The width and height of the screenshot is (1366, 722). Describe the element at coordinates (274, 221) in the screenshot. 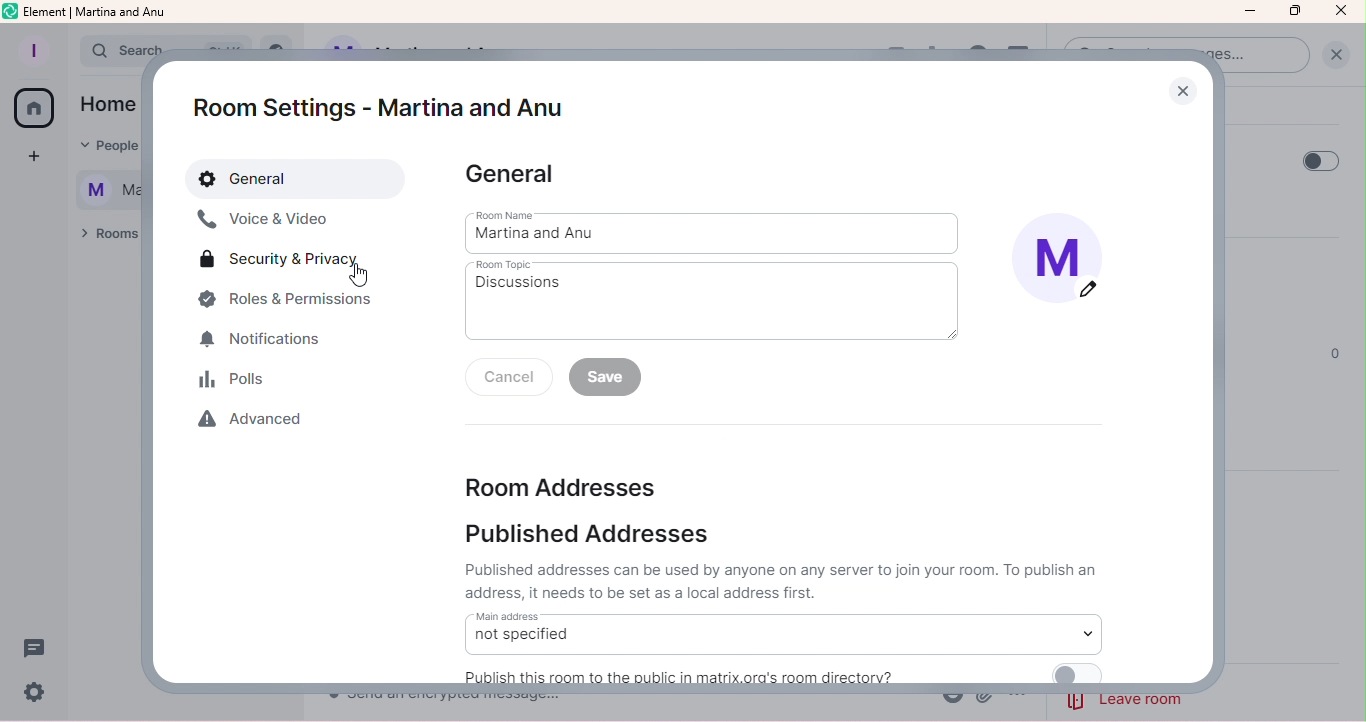

I see `Voice and video` at that location.